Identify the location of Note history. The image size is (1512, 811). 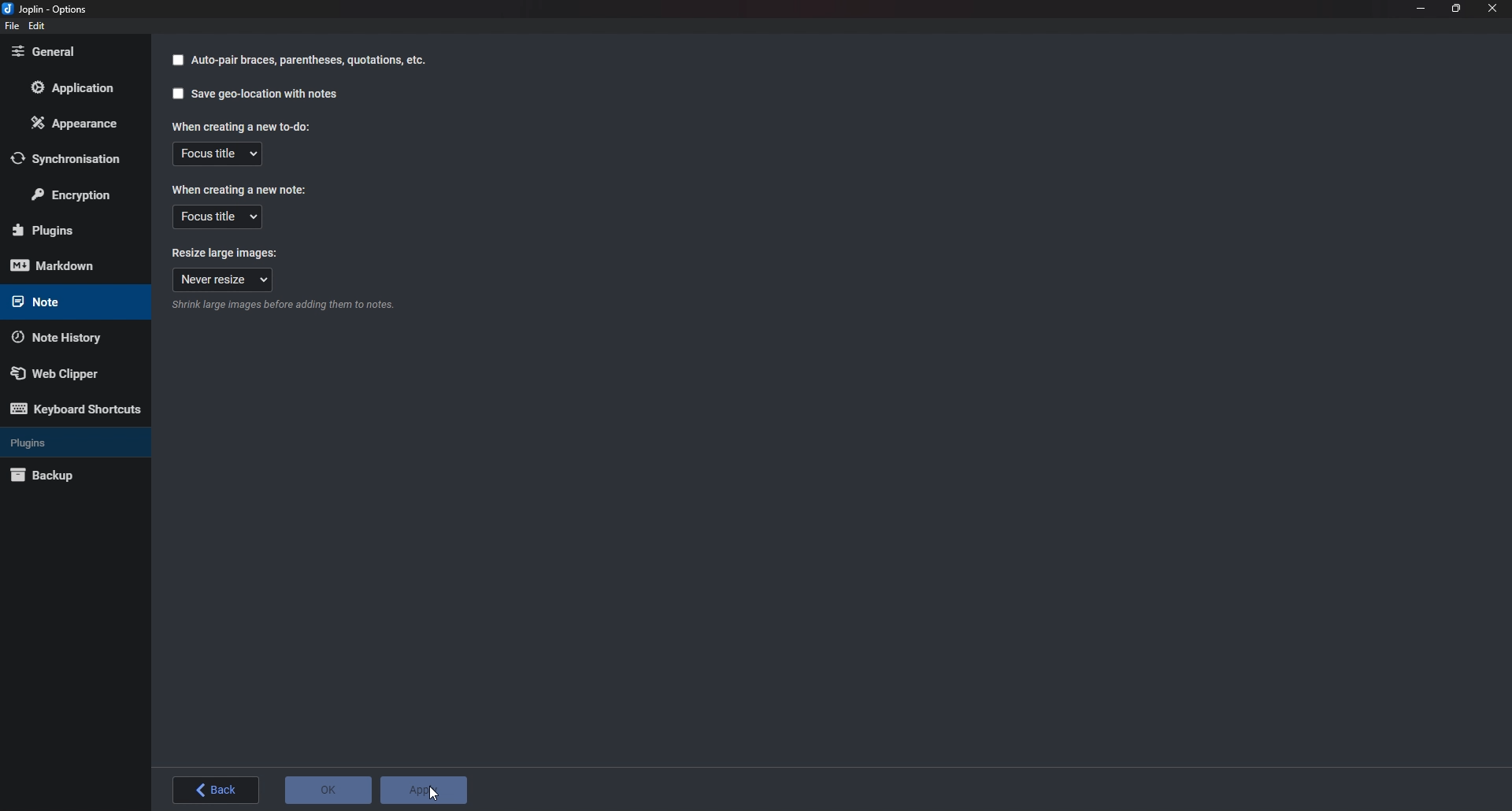
(69, 335).